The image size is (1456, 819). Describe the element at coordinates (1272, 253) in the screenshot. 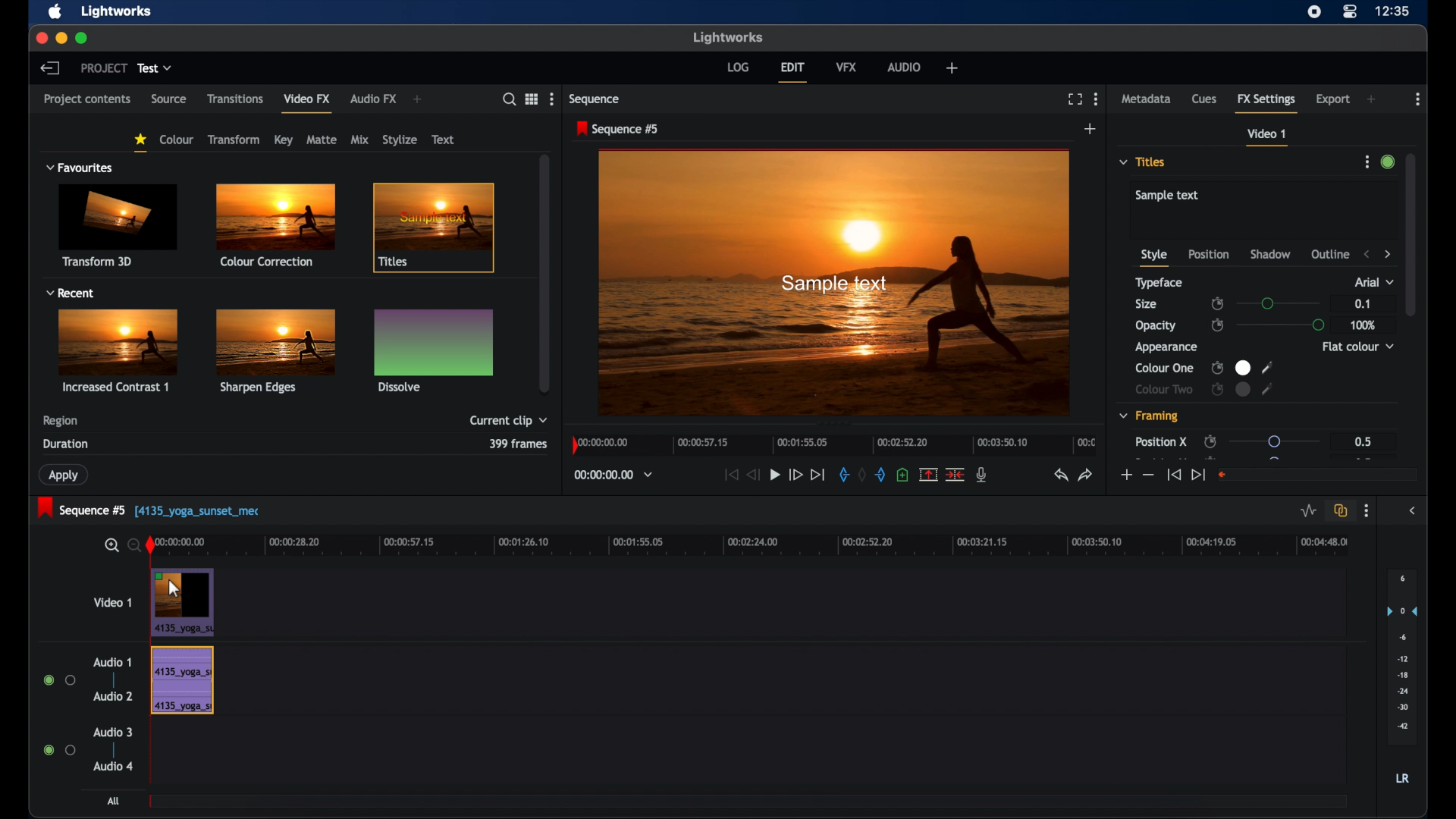

I see `shadow` at that location.